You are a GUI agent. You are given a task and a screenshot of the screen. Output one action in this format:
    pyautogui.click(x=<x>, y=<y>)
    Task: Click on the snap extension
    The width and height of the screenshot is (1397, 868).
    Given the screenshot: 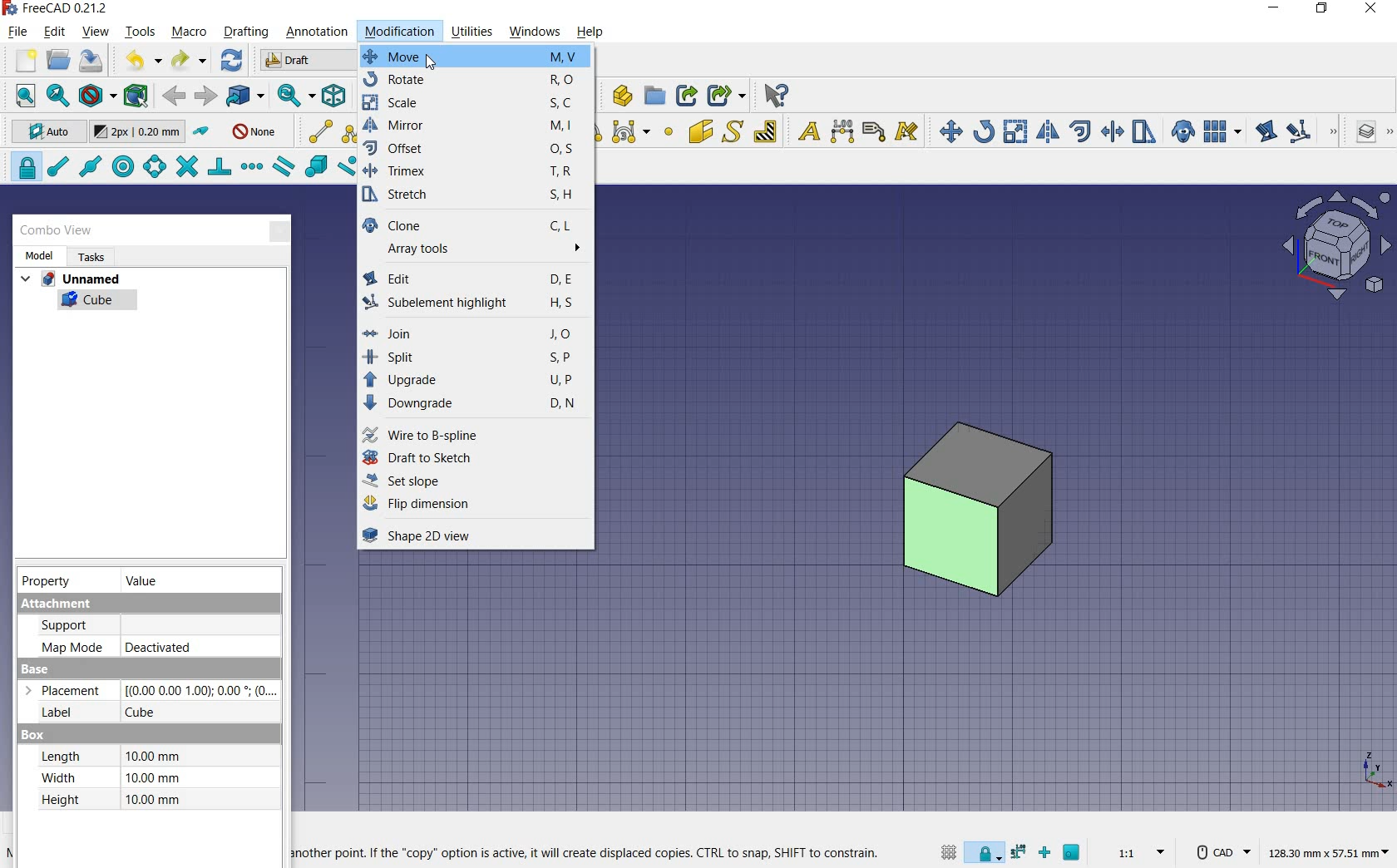 What is the action you would take?
    pyautogui.click(x=252, y=167)
    